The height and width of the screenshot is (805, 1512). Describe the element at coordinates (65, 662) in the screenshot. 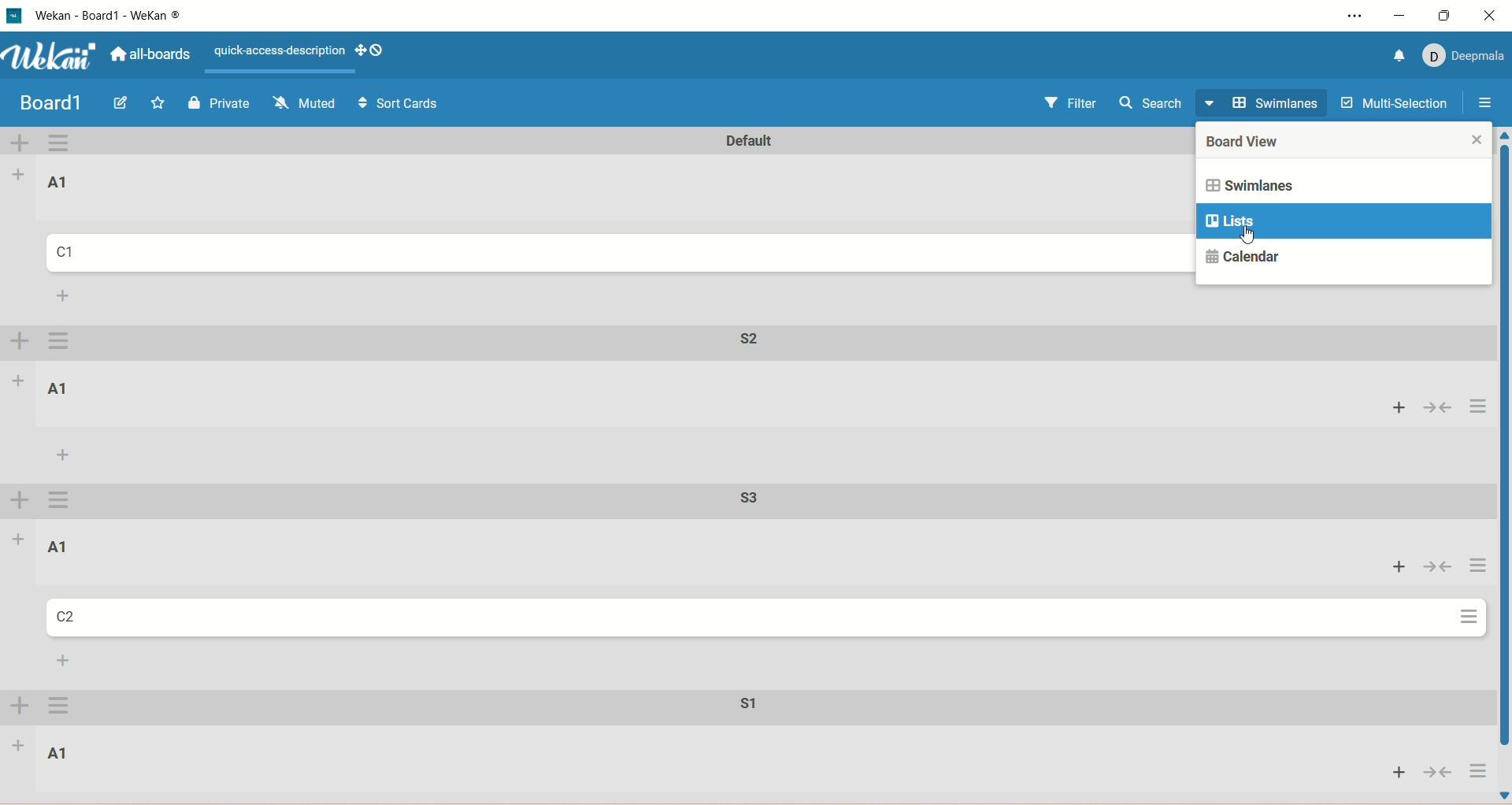

I see `add` at that location.